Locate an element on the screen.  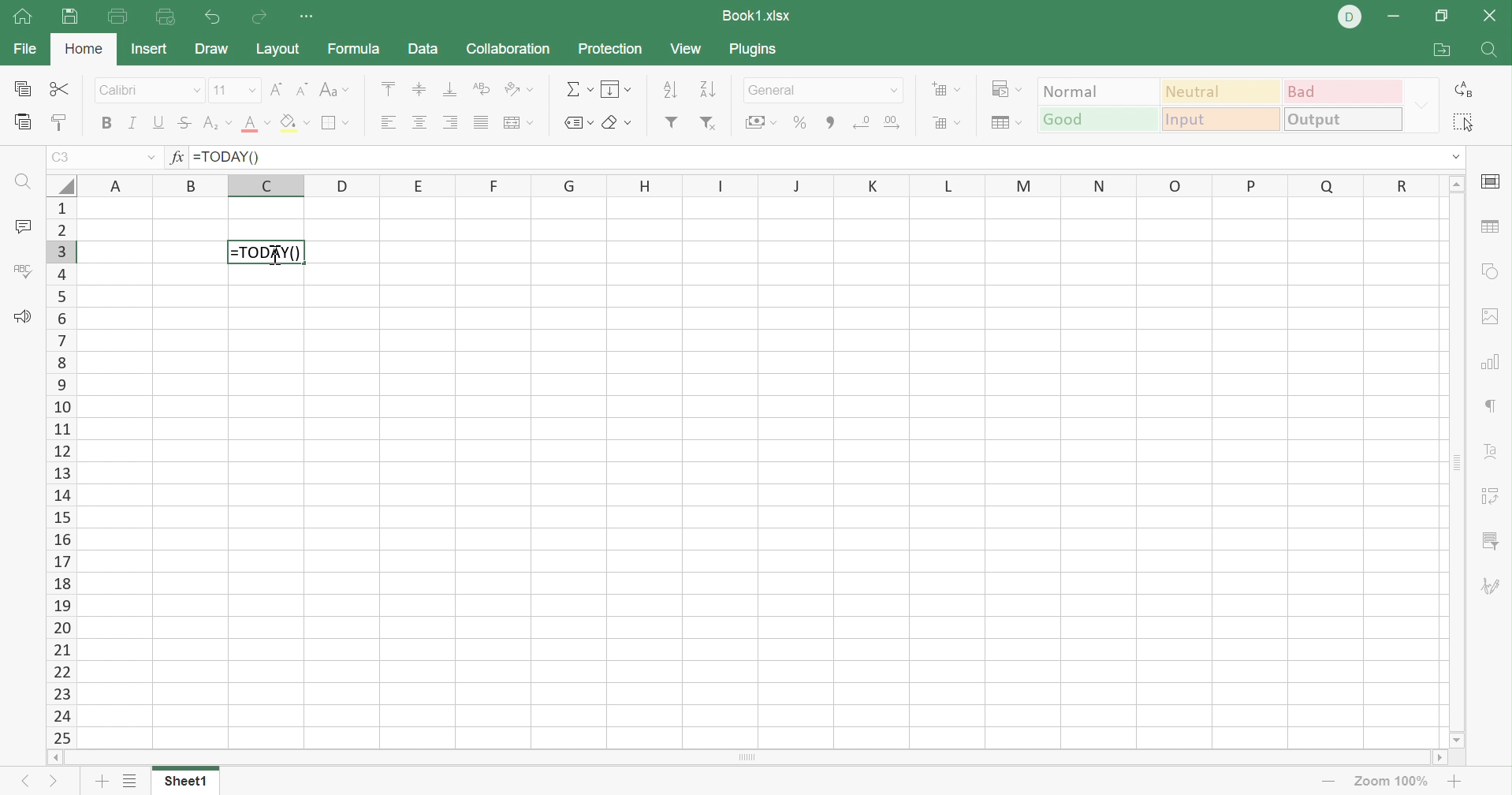
Align Left is located at coordinates (386, 123).